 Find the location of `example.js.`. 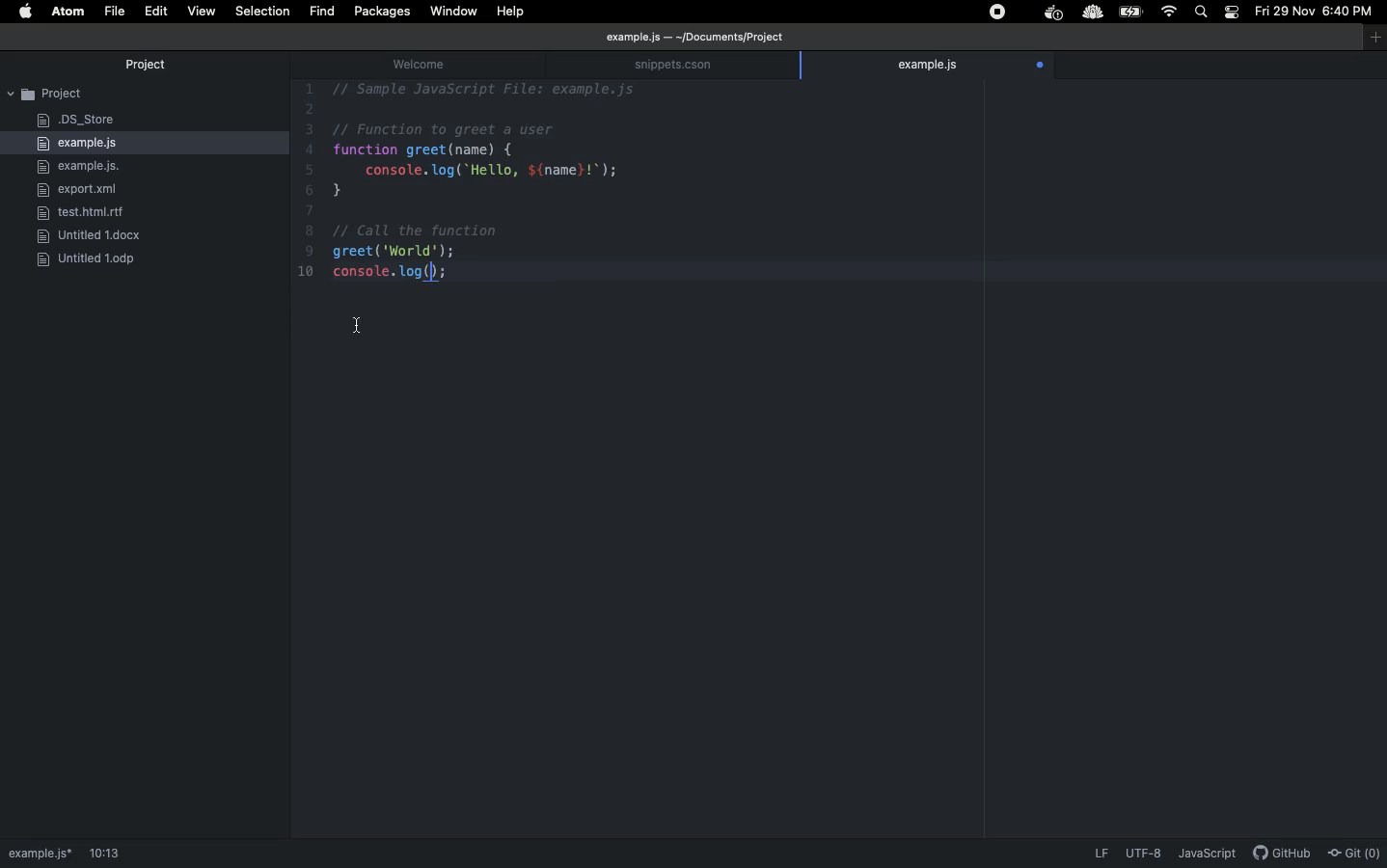

example.js. is located at coordinates (81, 167).